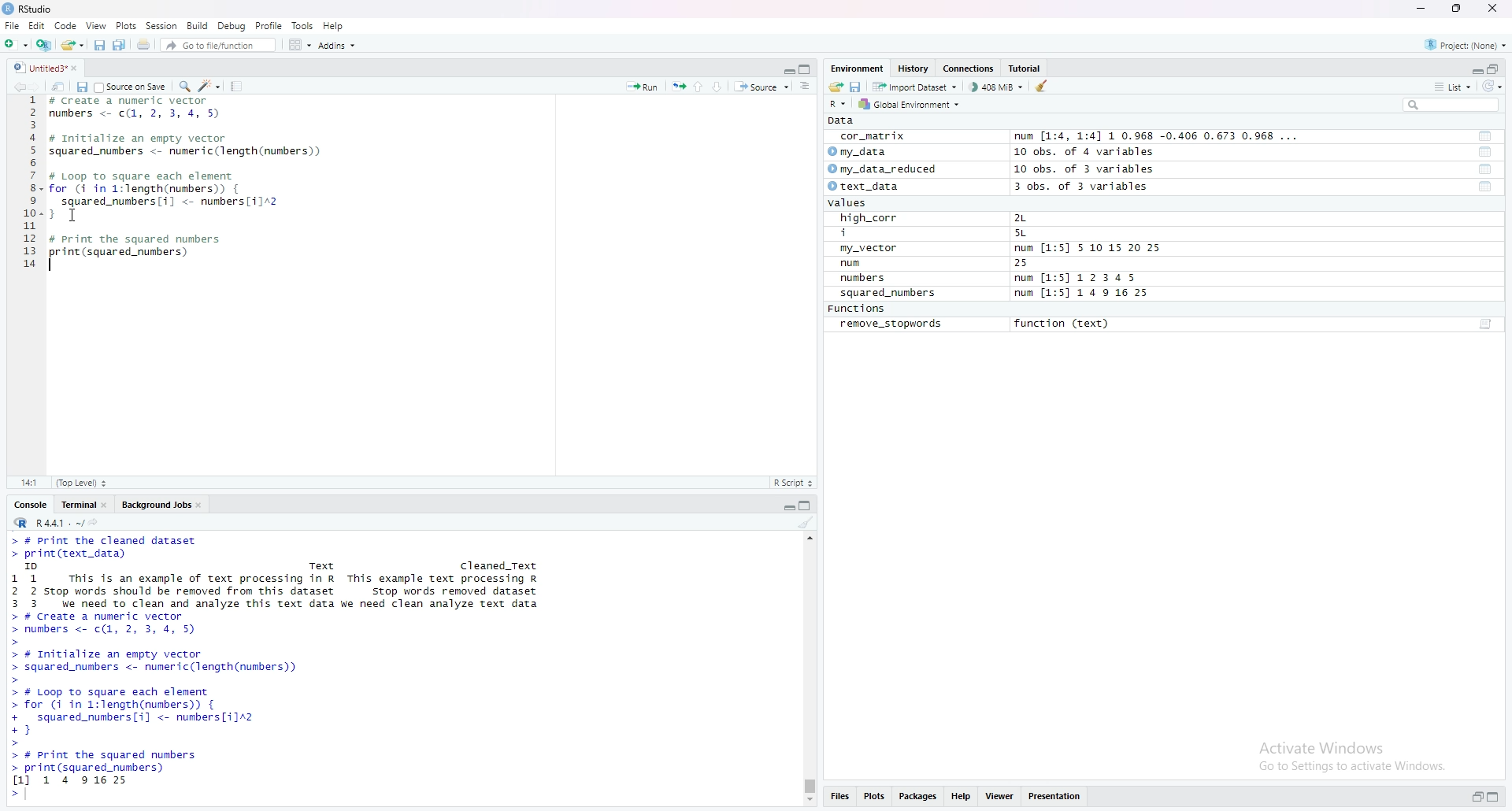 This screenshot has width=1512, height=811. I want to click on 2L, so click(1029, 218).